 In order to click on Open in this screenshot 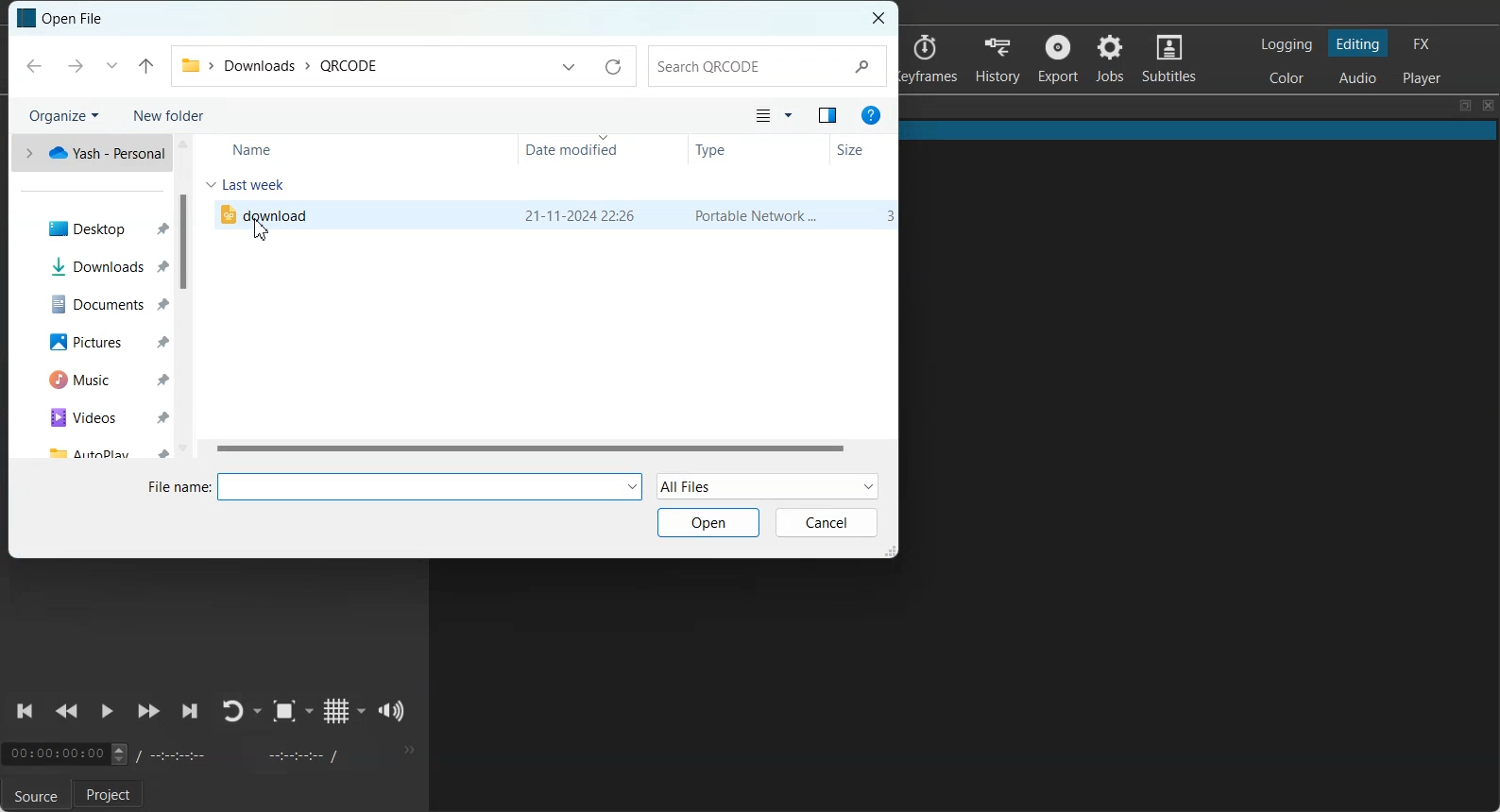, I will do `click(710, 522)`.